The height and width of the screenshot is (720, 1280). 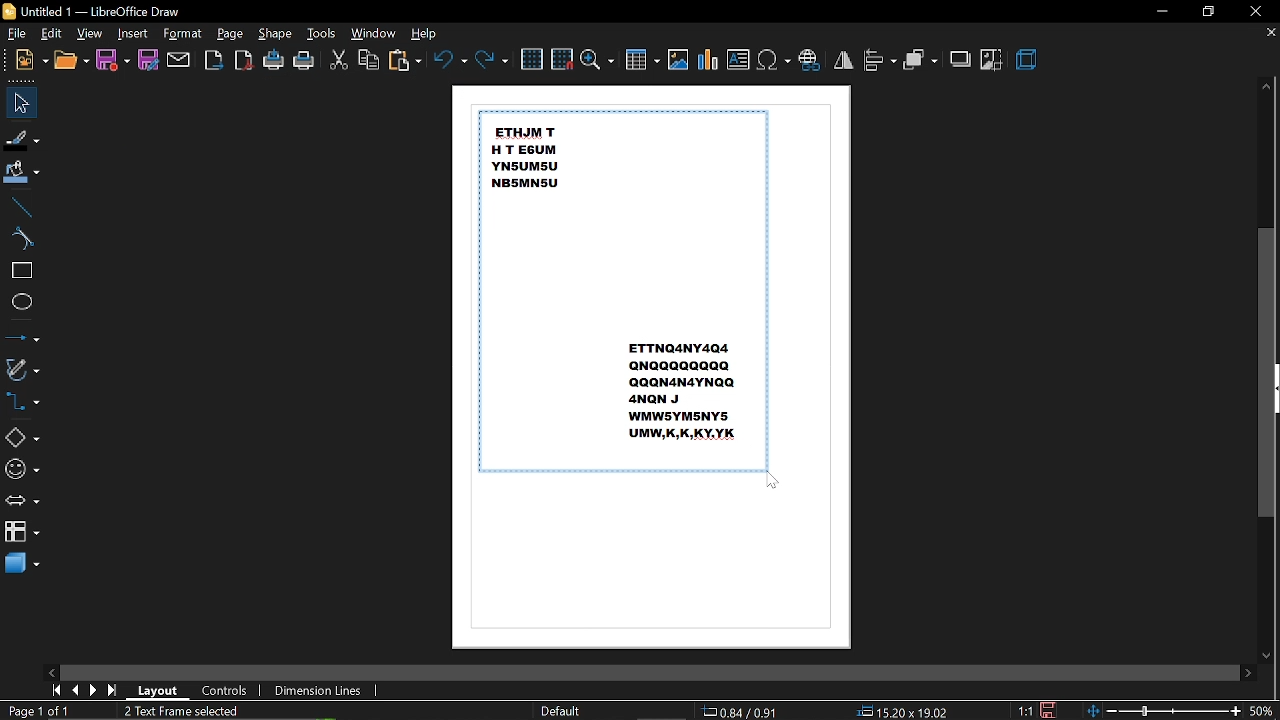 What do you see at coordinates (115, 690) in the screenshot?
I see `go to last page` at bounding box center [115, 690].